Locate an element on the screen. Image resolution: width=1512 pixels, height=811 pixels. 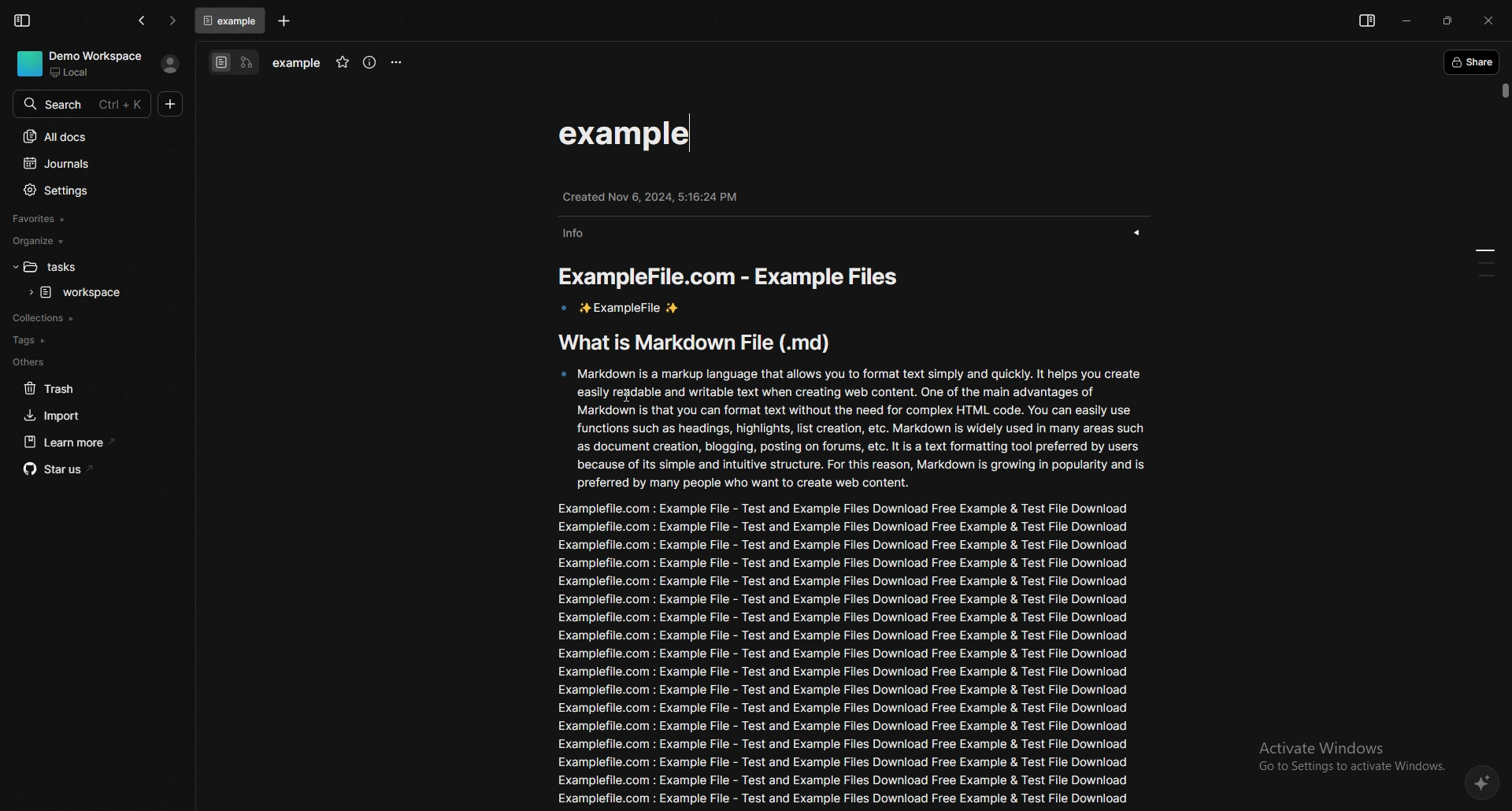
settings is located at coordinates (91, 191).